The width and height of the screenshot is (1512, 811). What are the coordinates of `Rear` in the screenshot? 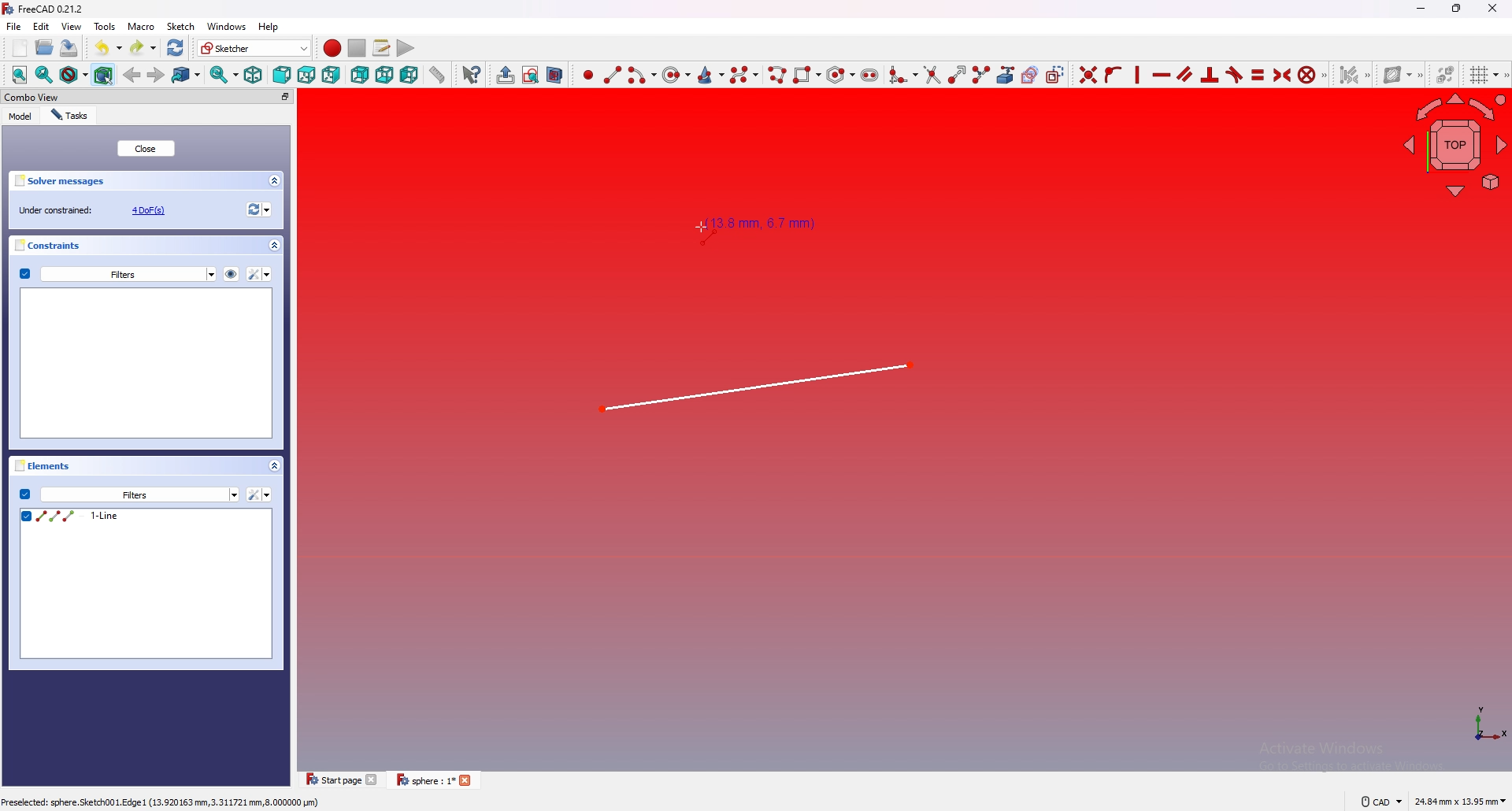 It's located at (359, 75).